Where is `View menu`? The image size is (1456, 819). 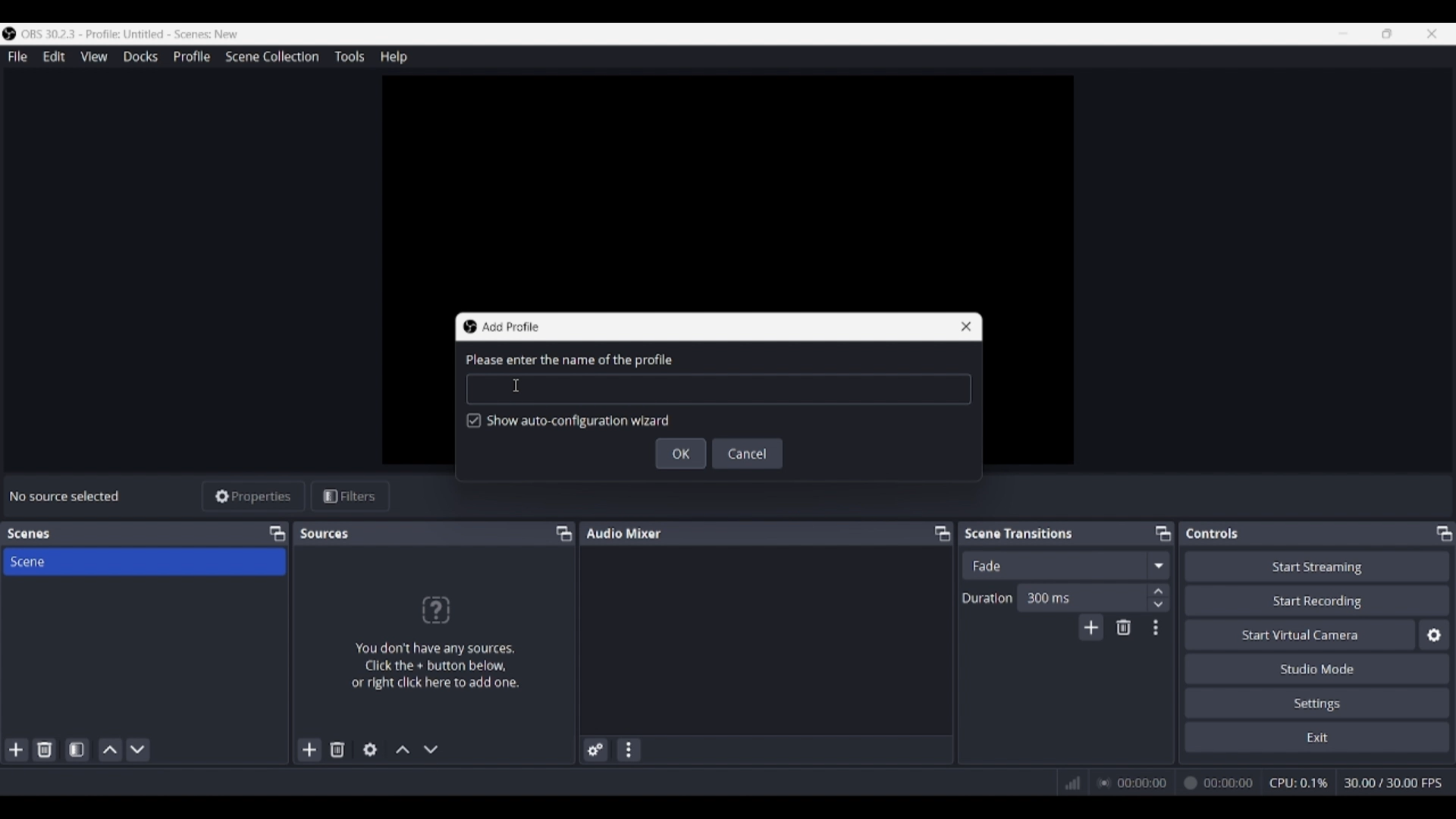
View menu is located at coordinates (94, 56).